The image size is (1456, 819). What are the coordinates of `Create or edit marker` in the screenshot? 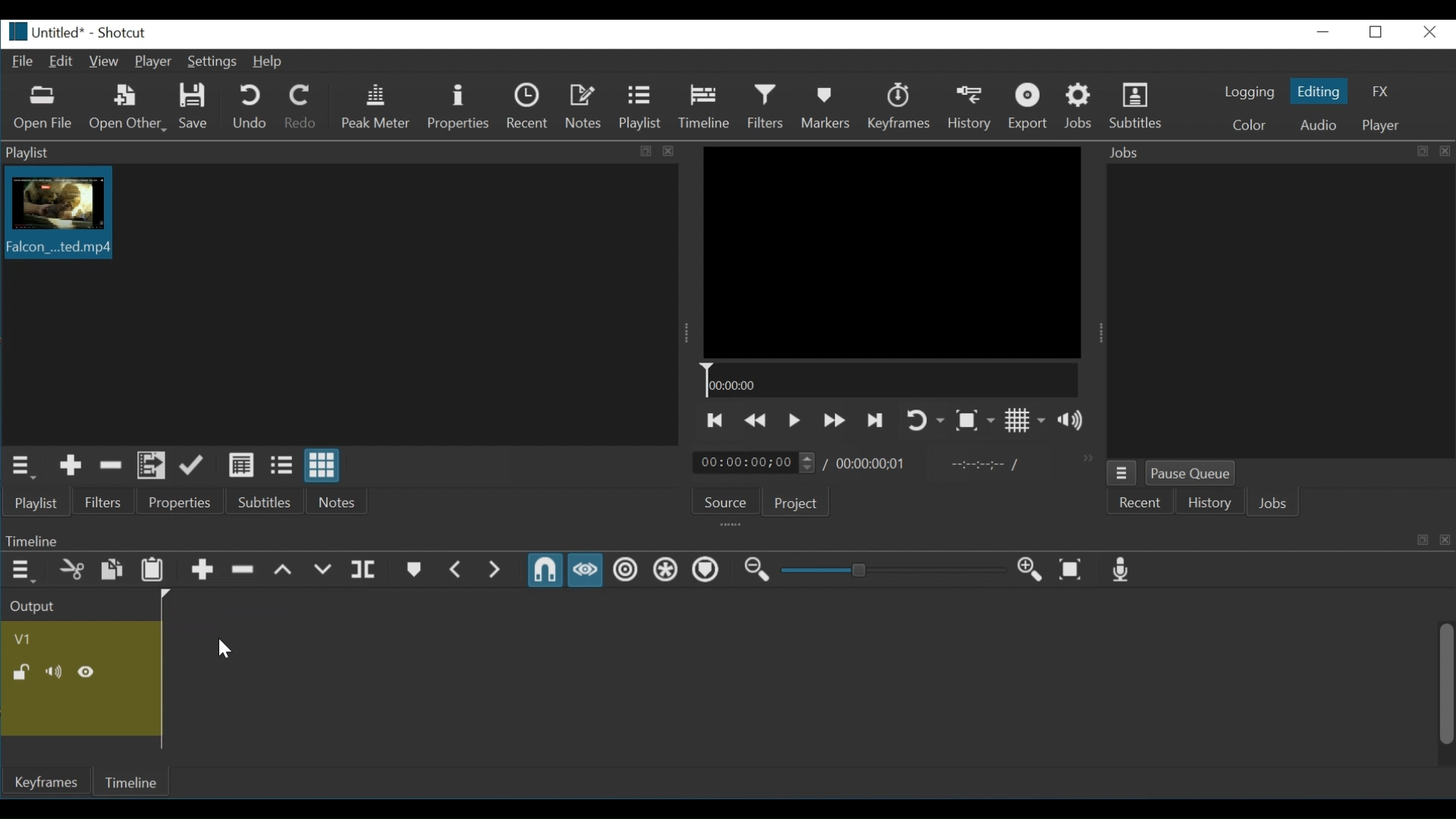 It's located at (413, 570).